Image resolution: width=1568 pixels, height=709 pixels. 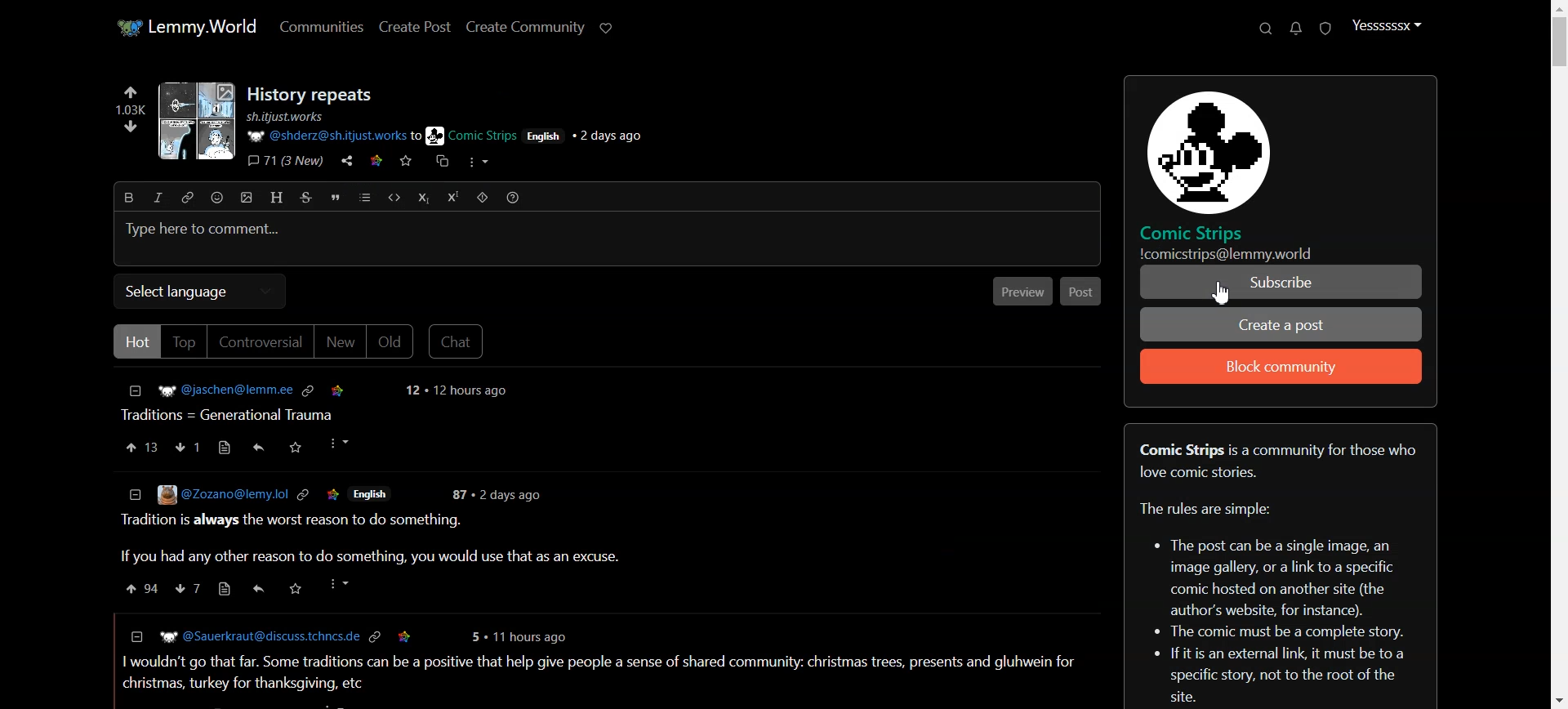 What do you see at coordinates (293, 587) in the screenshot?
I see `Save` at bounding box center [293, 587].